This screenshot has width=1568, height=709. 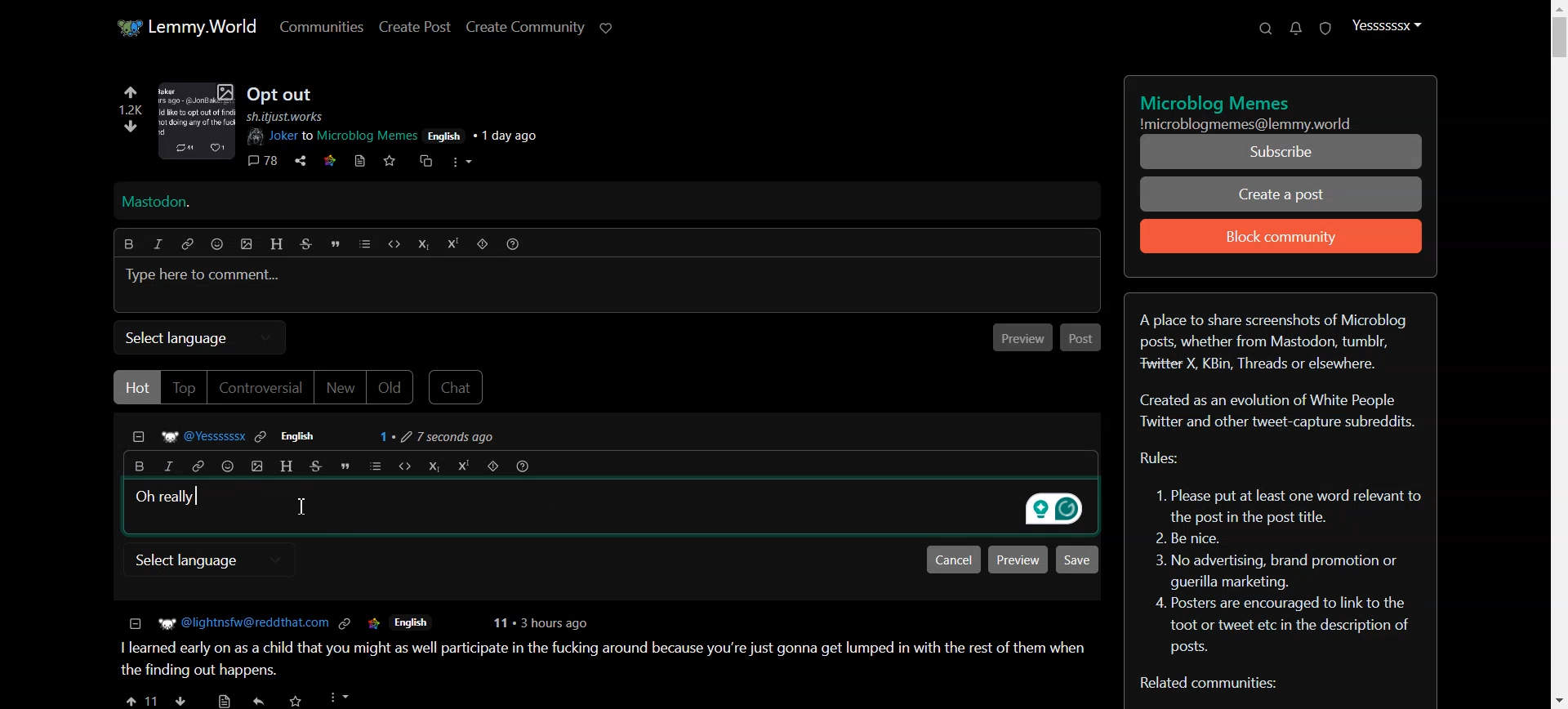 I want to click on Text cursor, so click(x=303, y=506).